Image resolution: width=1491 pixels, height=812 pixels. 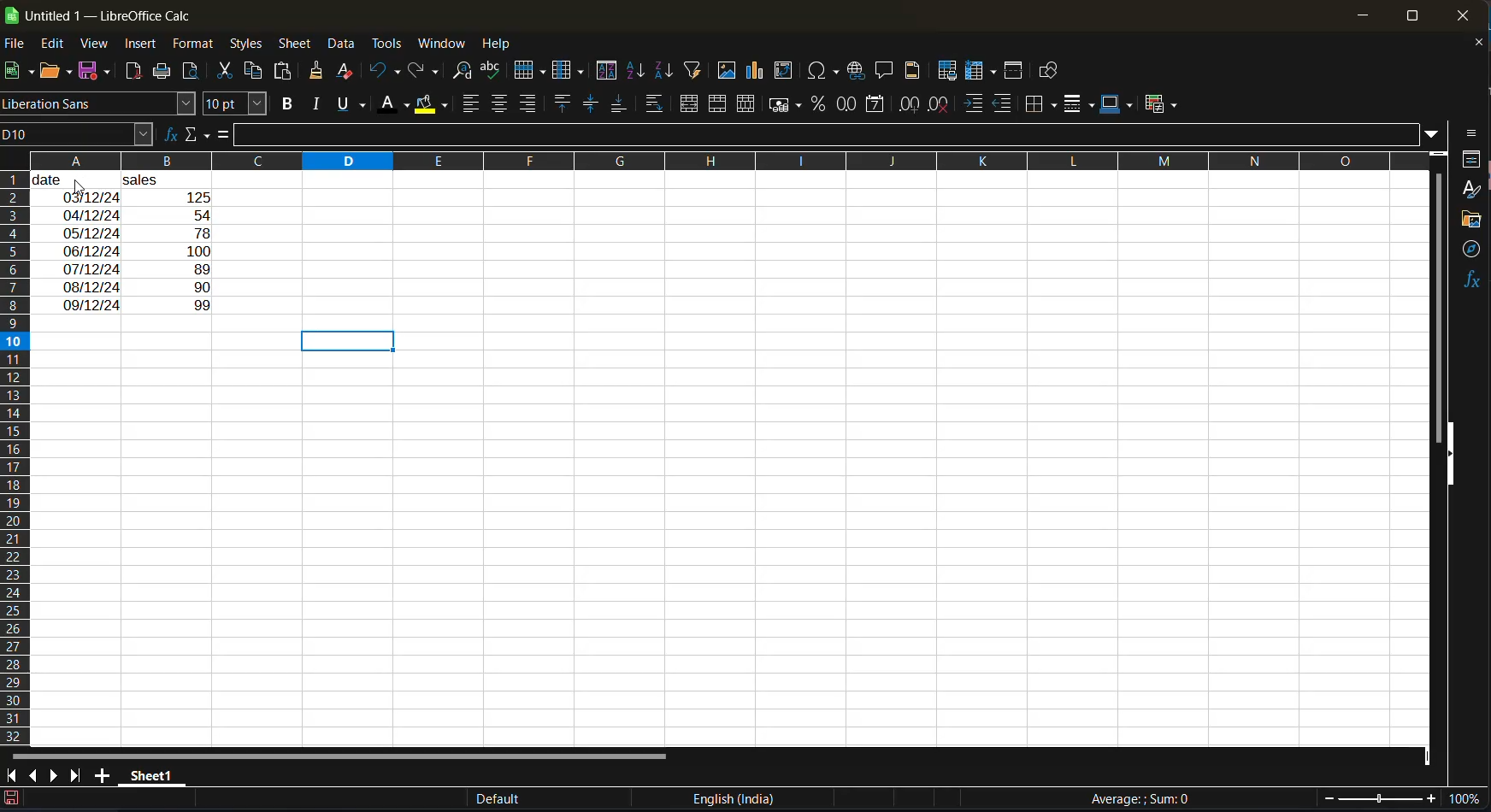 I want to click on autofilter, so click(x=691, y=71).